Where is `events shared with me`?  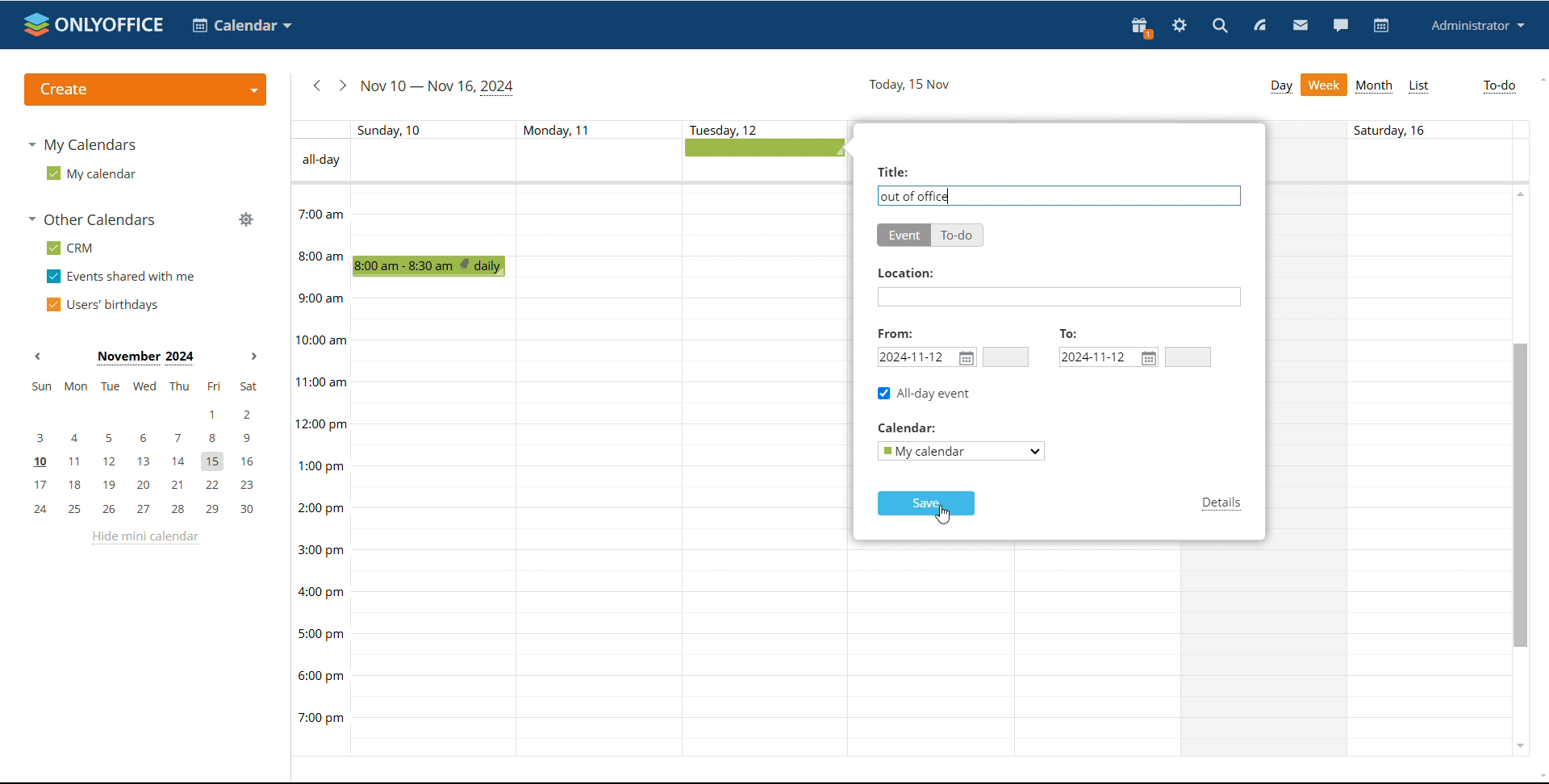
events shared with me is located at coordinates (119, 277).